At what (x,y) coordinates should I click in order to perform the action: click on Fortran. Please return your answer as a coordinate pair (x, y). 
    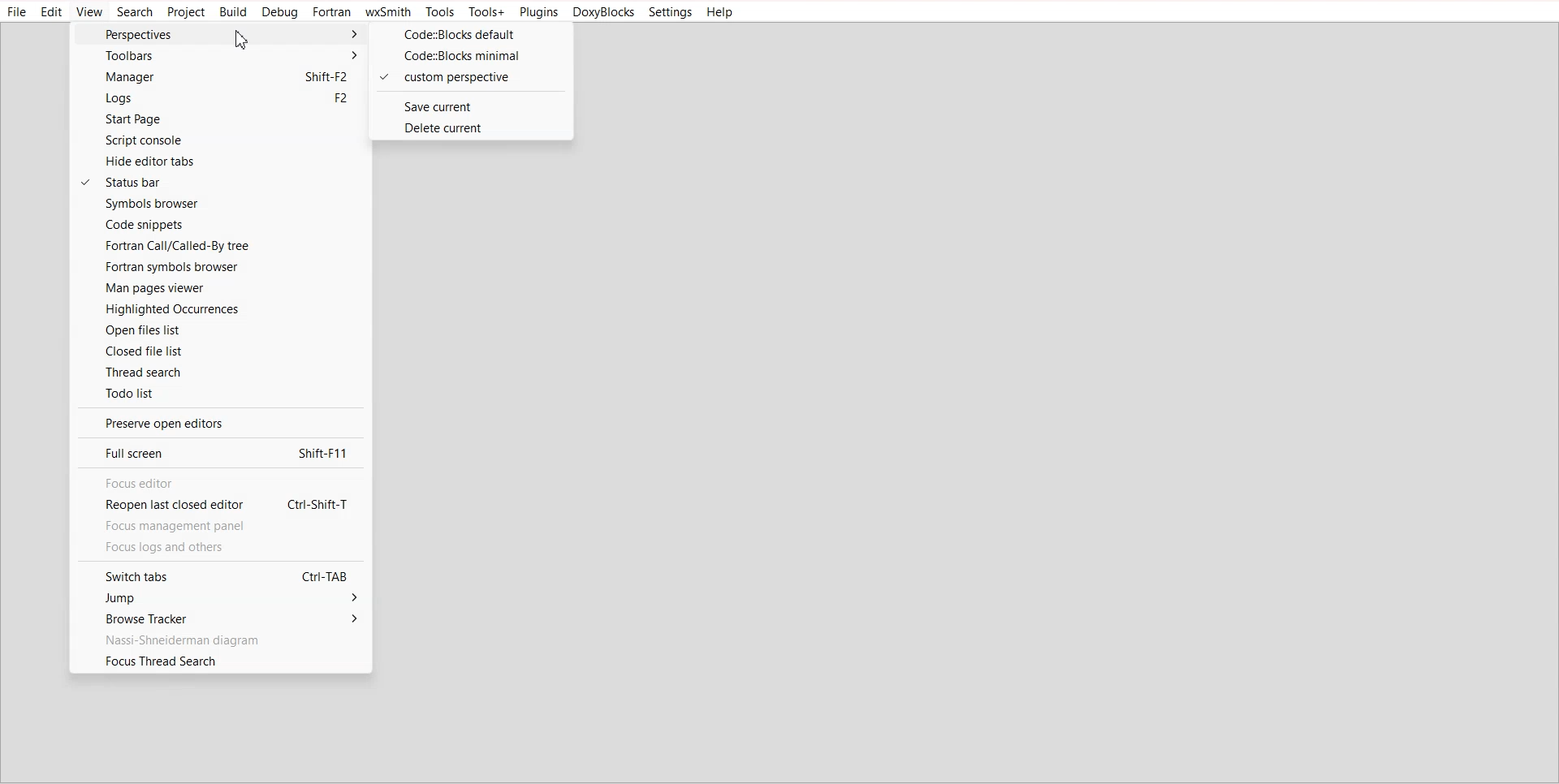
    Looking at the image, I should click on (332, 12).